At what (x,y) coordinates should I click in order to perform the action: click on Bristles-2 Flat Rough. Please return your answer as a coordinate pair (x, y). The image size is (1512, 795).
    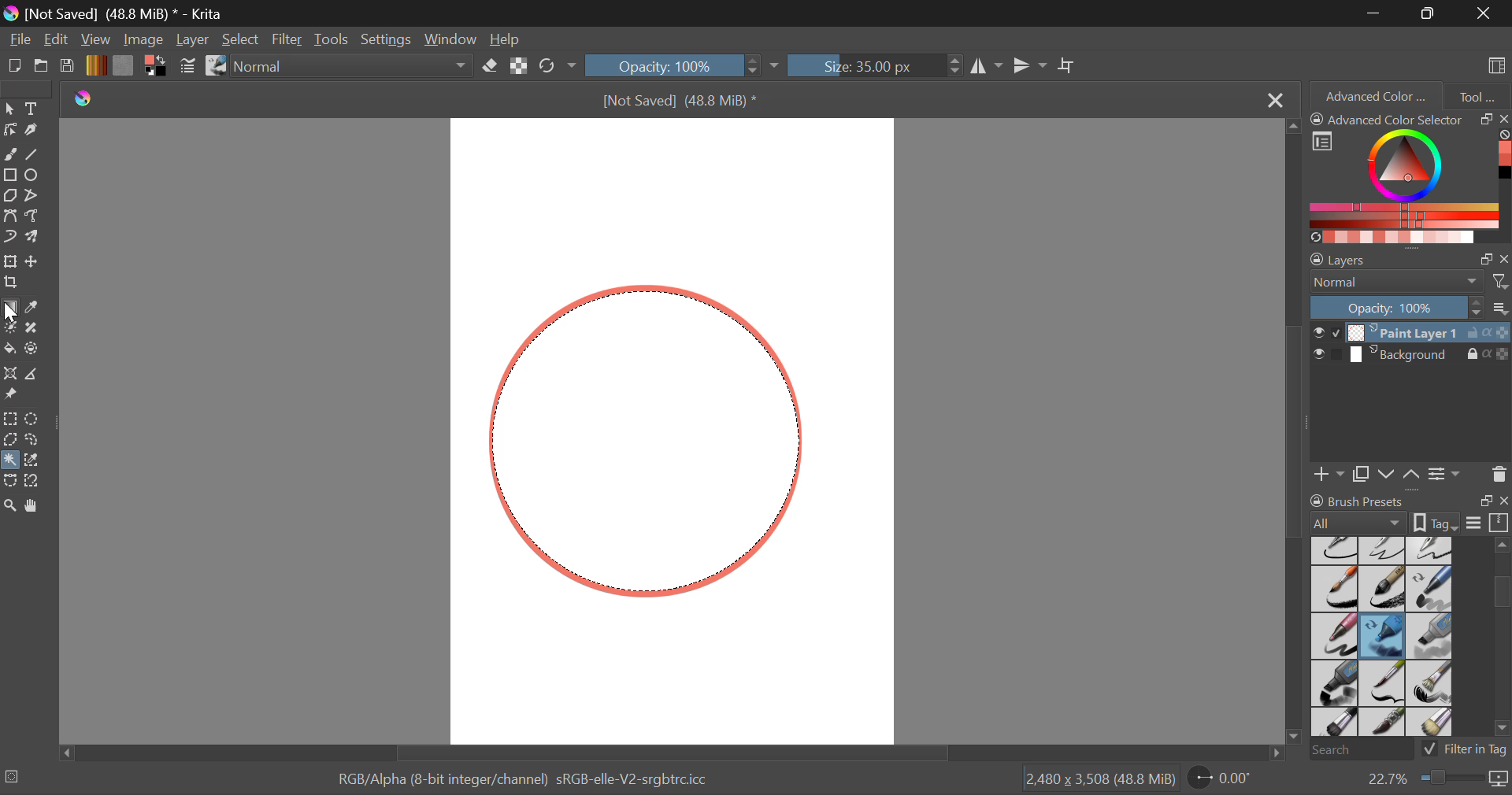
    Looking at the image, I should click on (1432, 684).